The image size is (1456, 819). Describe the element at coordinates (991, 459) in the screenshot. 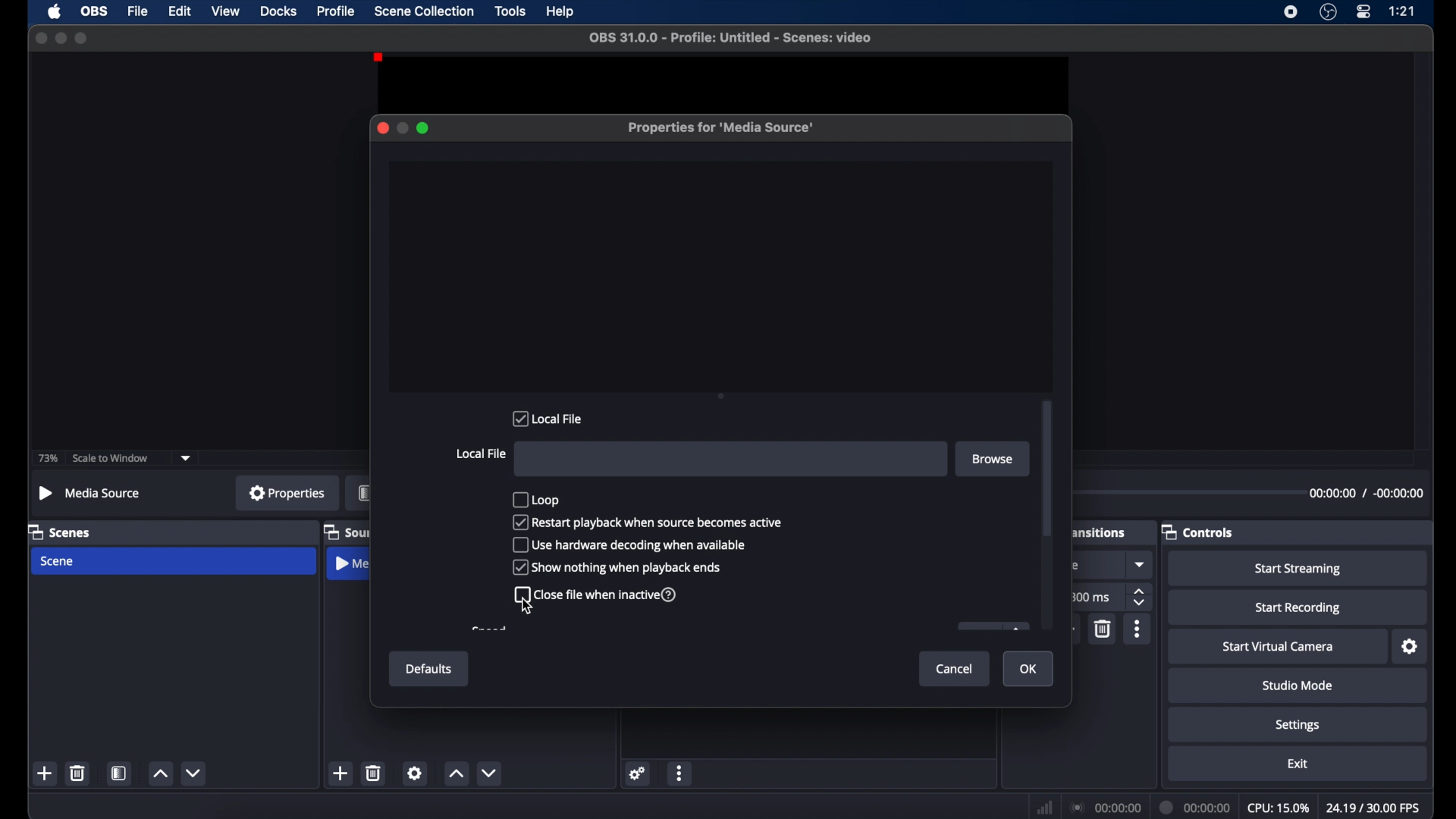

I see `browse` at that location.